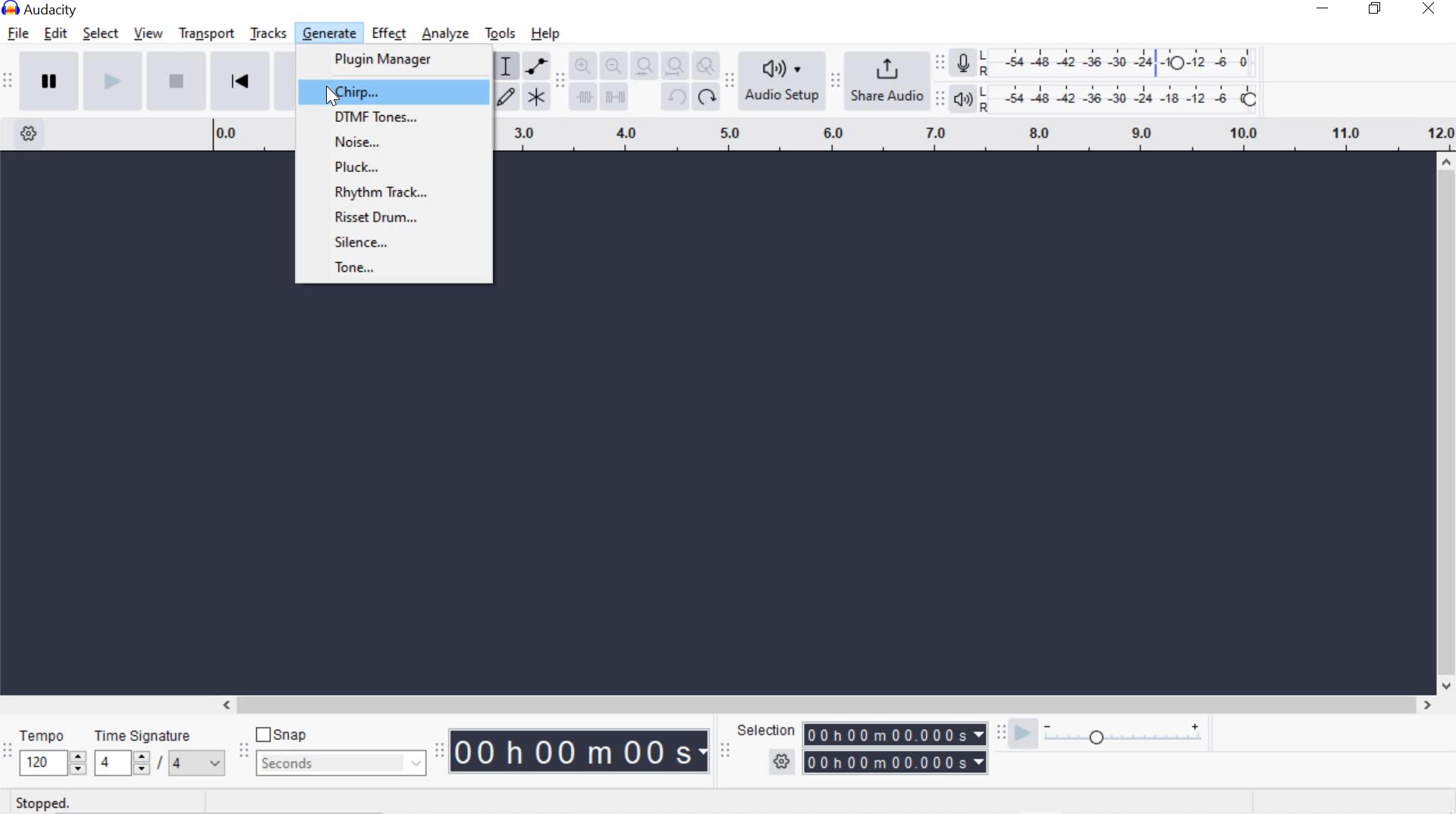 Image resolution: width=1456 pixels, height=814 pixels. Describe the element at coordinates (393, 60) in the screenshot. I see `Plugin manager` at that location.